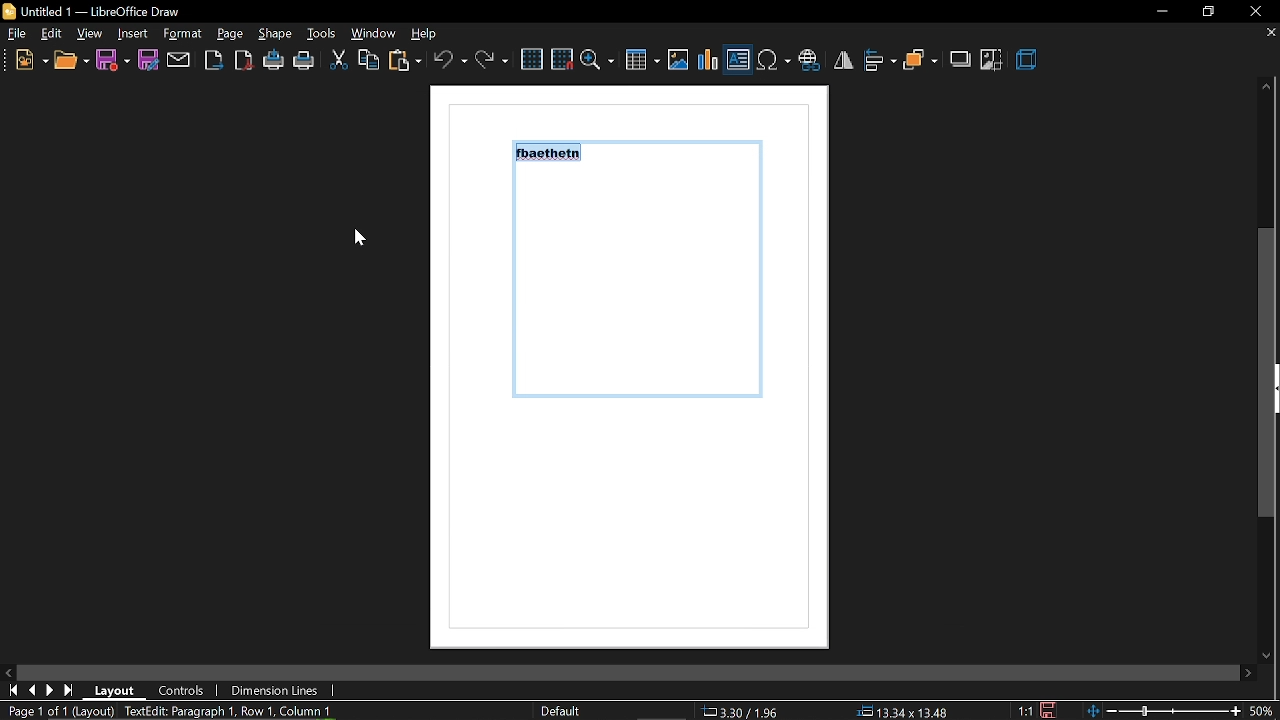 This screenshot has height=720, width=1280. I want to click on restore down, so click(1211, 11).